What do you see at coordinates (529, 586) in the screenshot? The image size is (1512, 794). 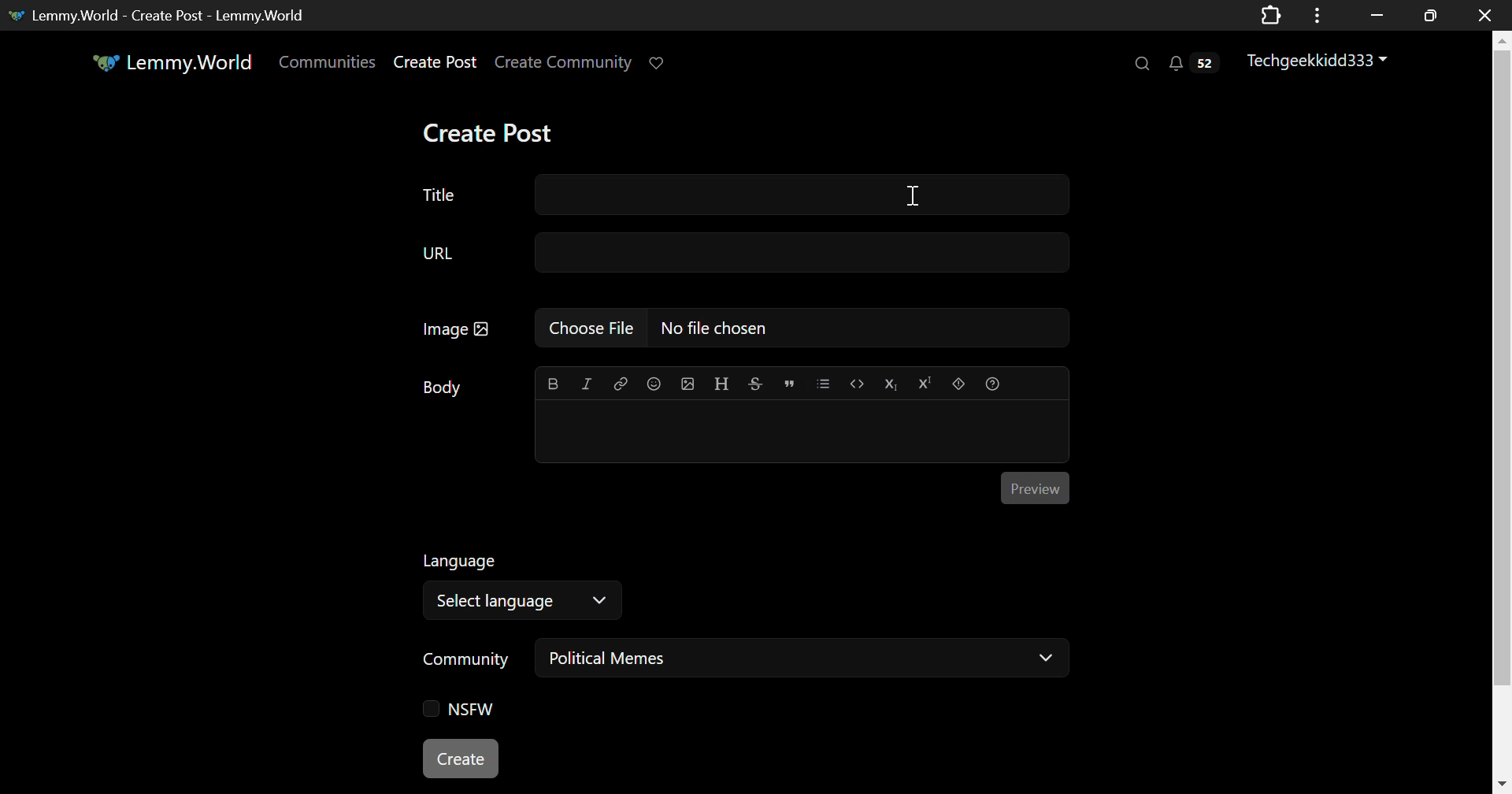 I see `Select Language` at bounding box center [529, 586].